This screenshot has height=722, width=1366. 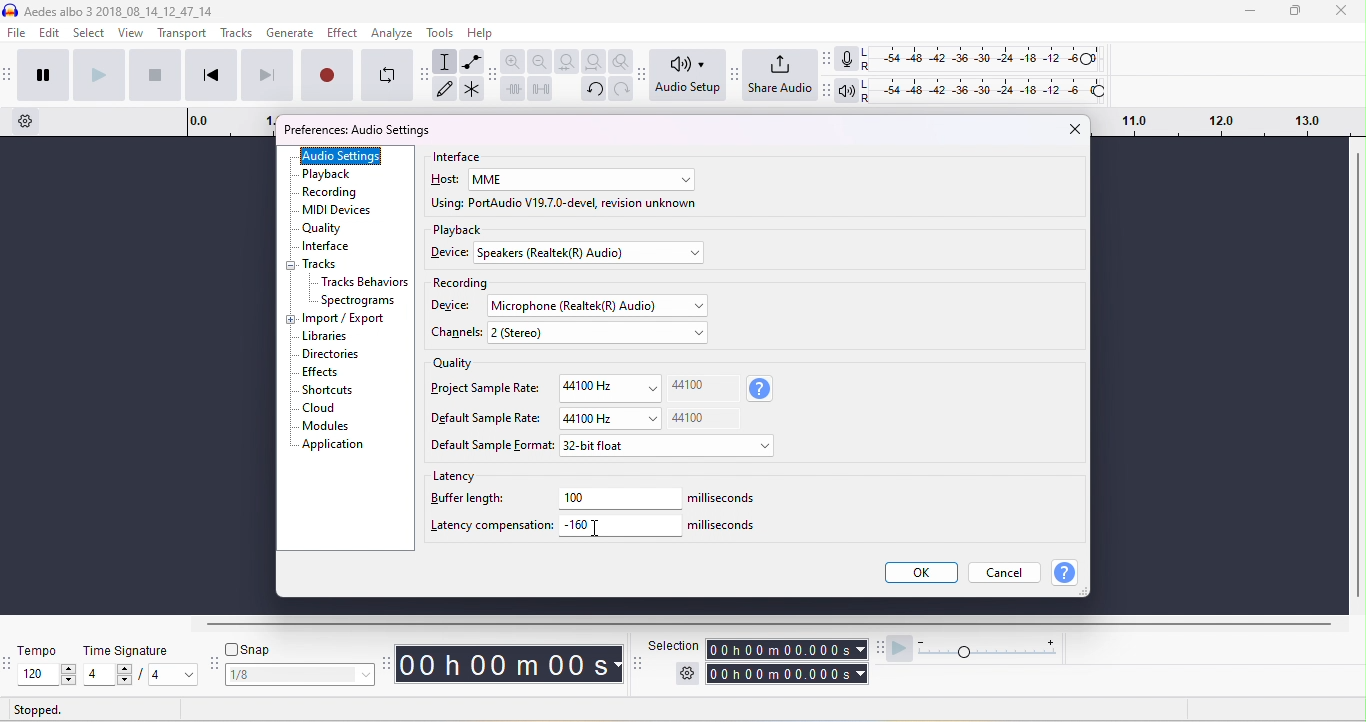 I want to click on close, so click(x=1072, y=128).